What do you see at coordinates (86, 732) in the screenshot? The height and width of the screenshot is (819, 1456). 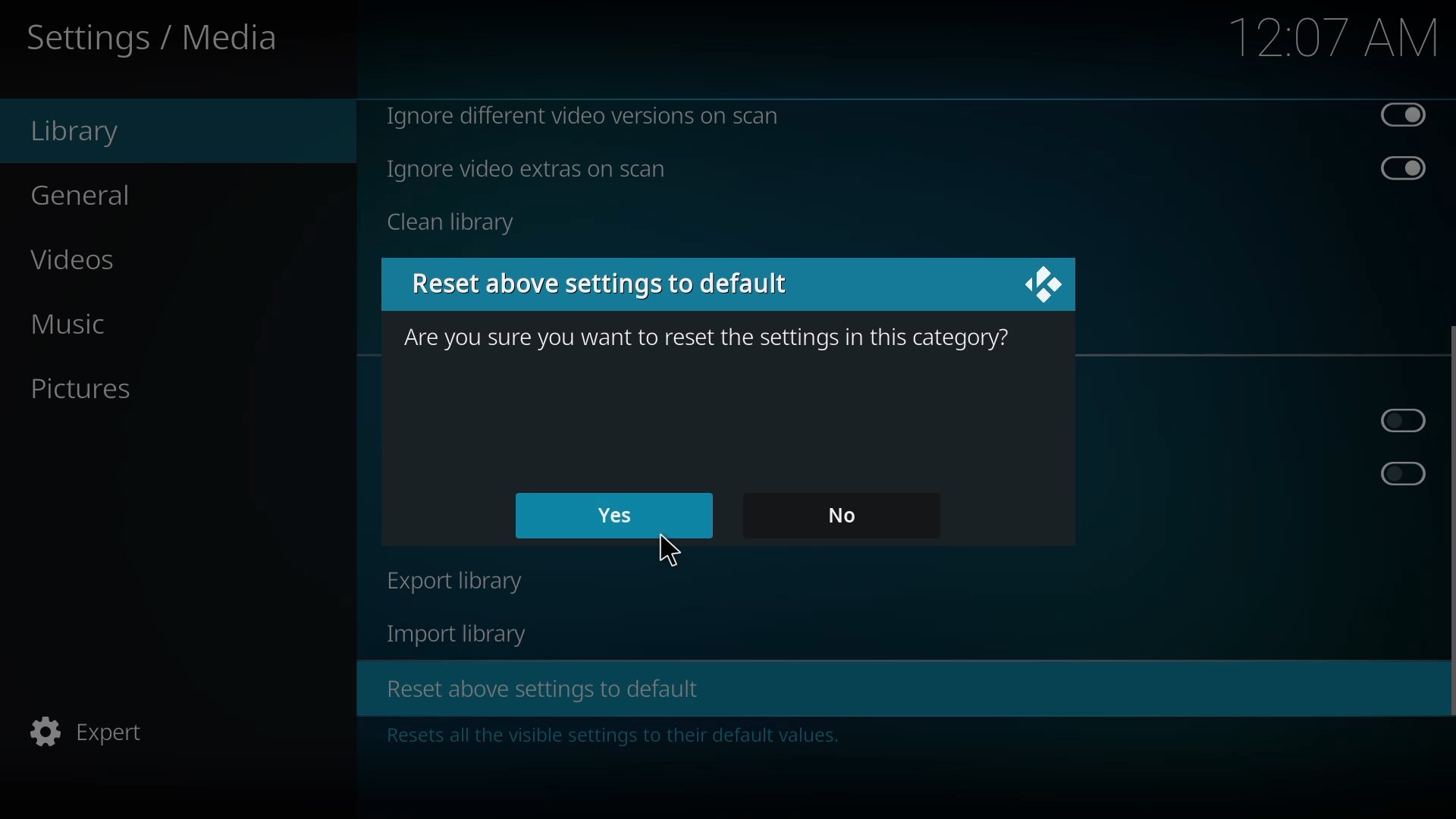 I see `expert` at bounding box center [86, 732].